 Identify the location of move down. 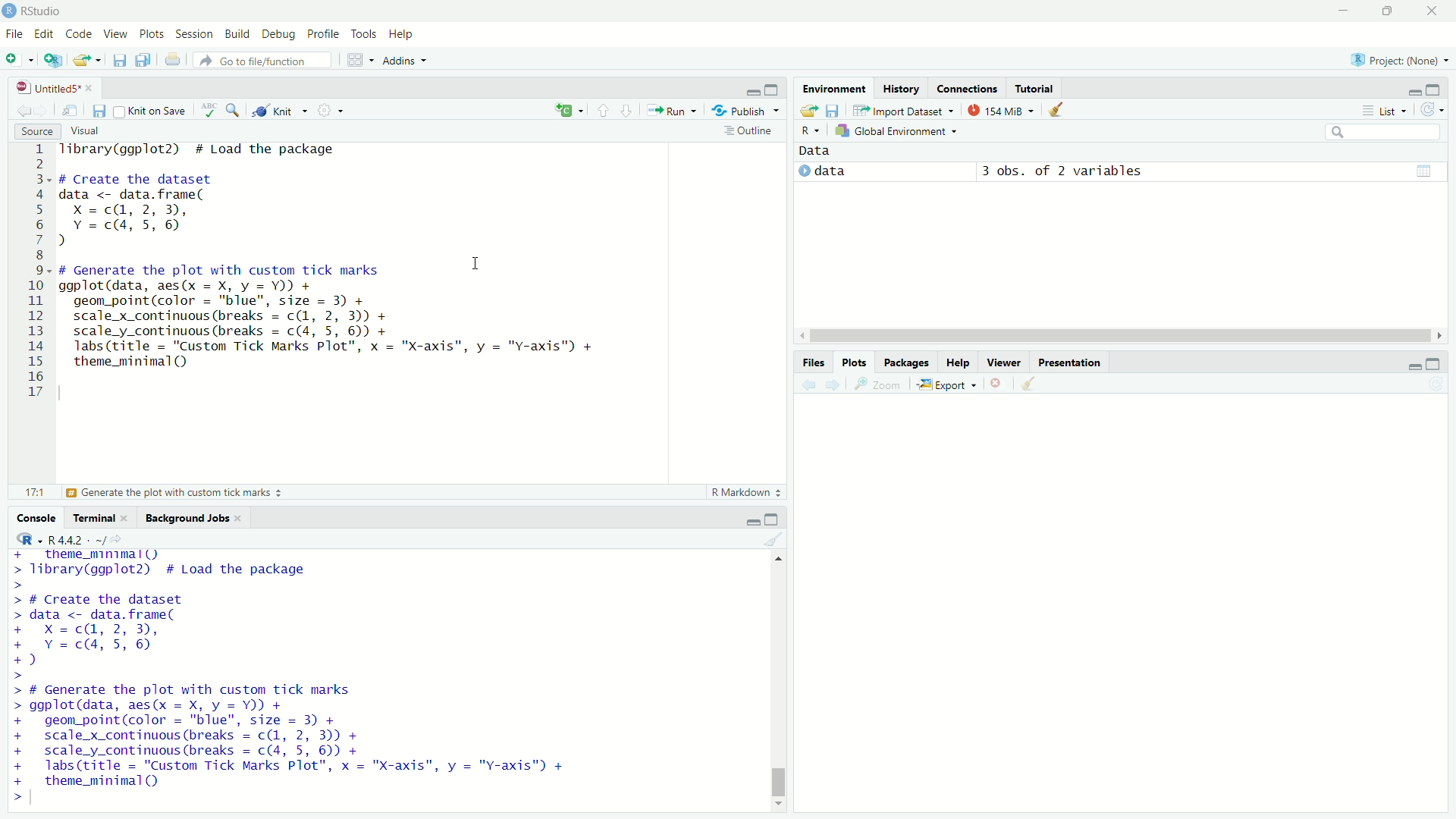
(780, 805).